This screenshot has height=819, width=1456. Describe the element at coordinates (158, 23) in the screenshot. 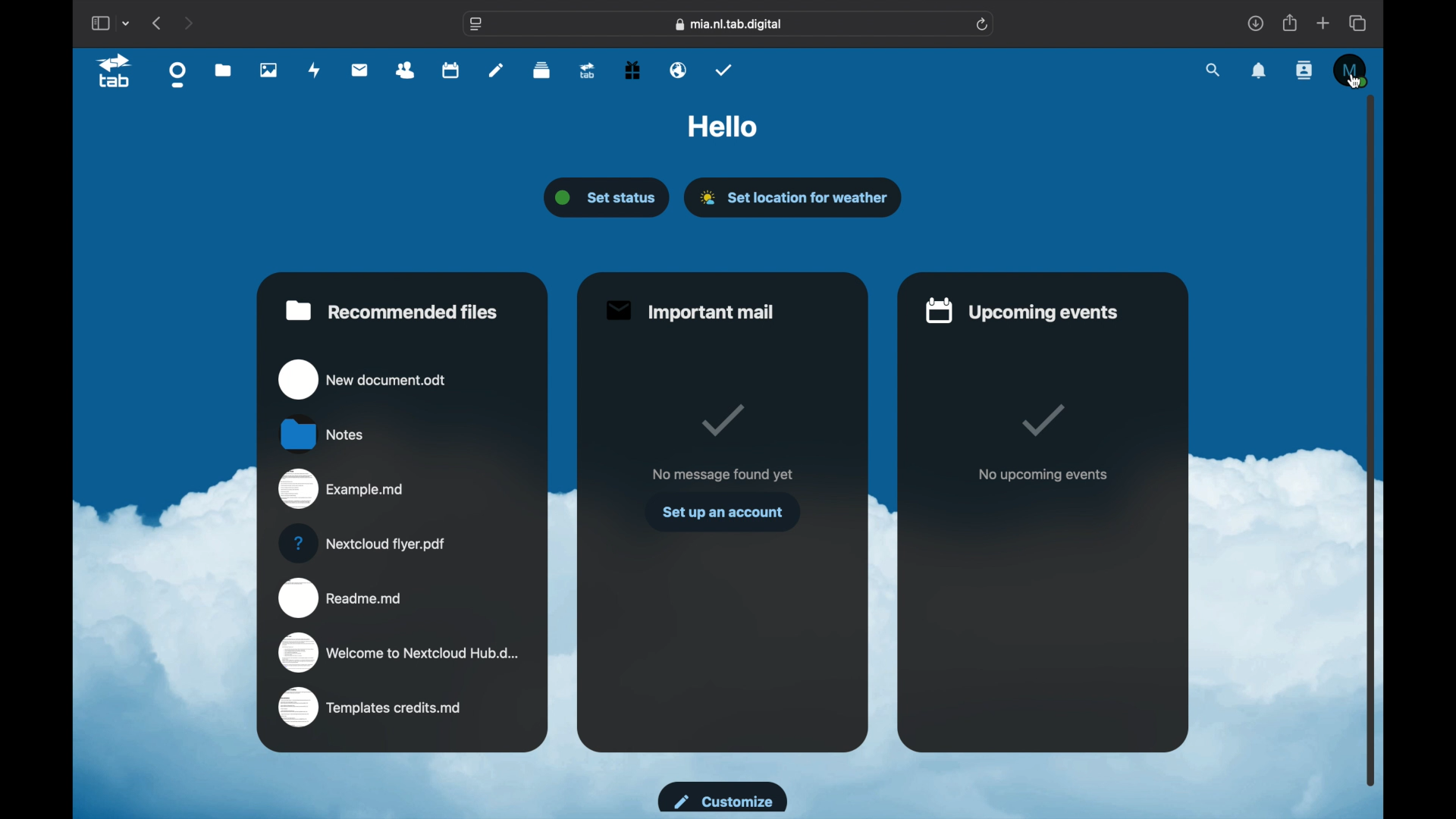

I see `previous` at that location.